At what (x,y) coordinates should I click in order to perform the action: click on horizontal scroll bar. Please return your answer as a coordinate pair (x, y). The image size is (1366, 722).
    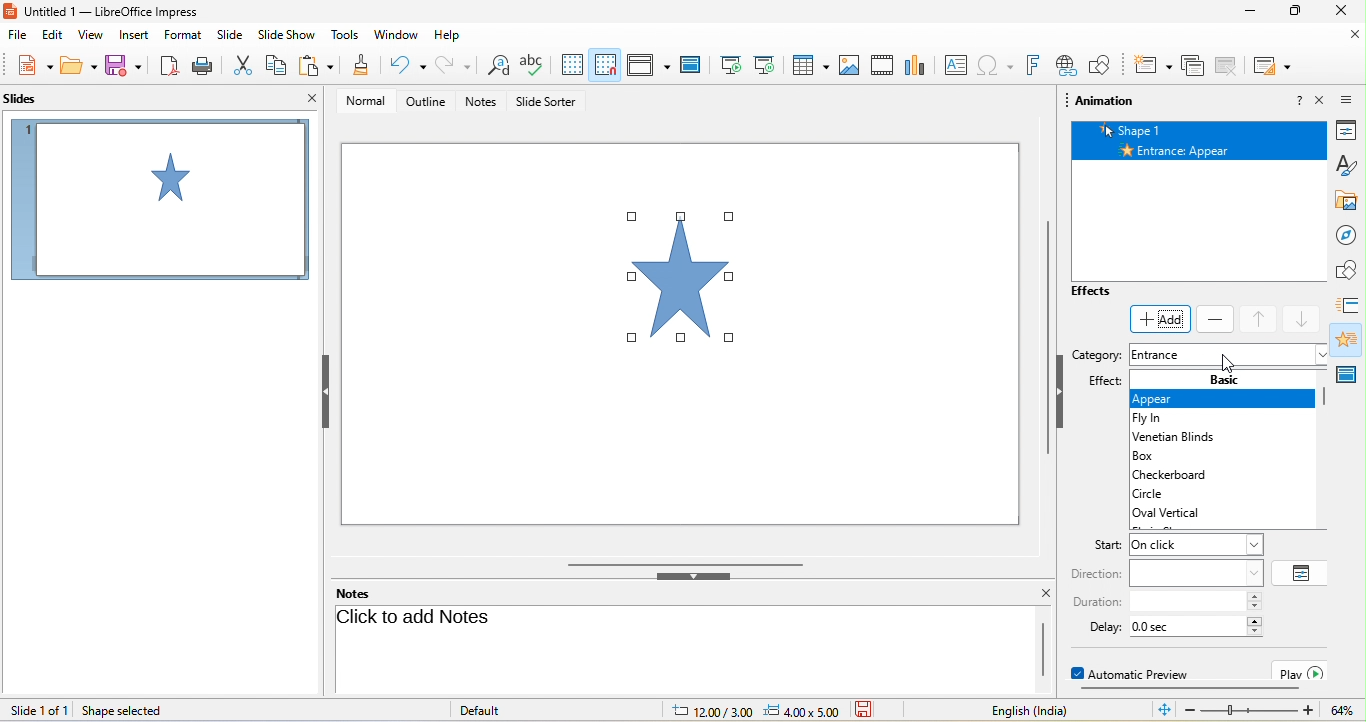
    Looking at the image, I should click on (1186, 690).